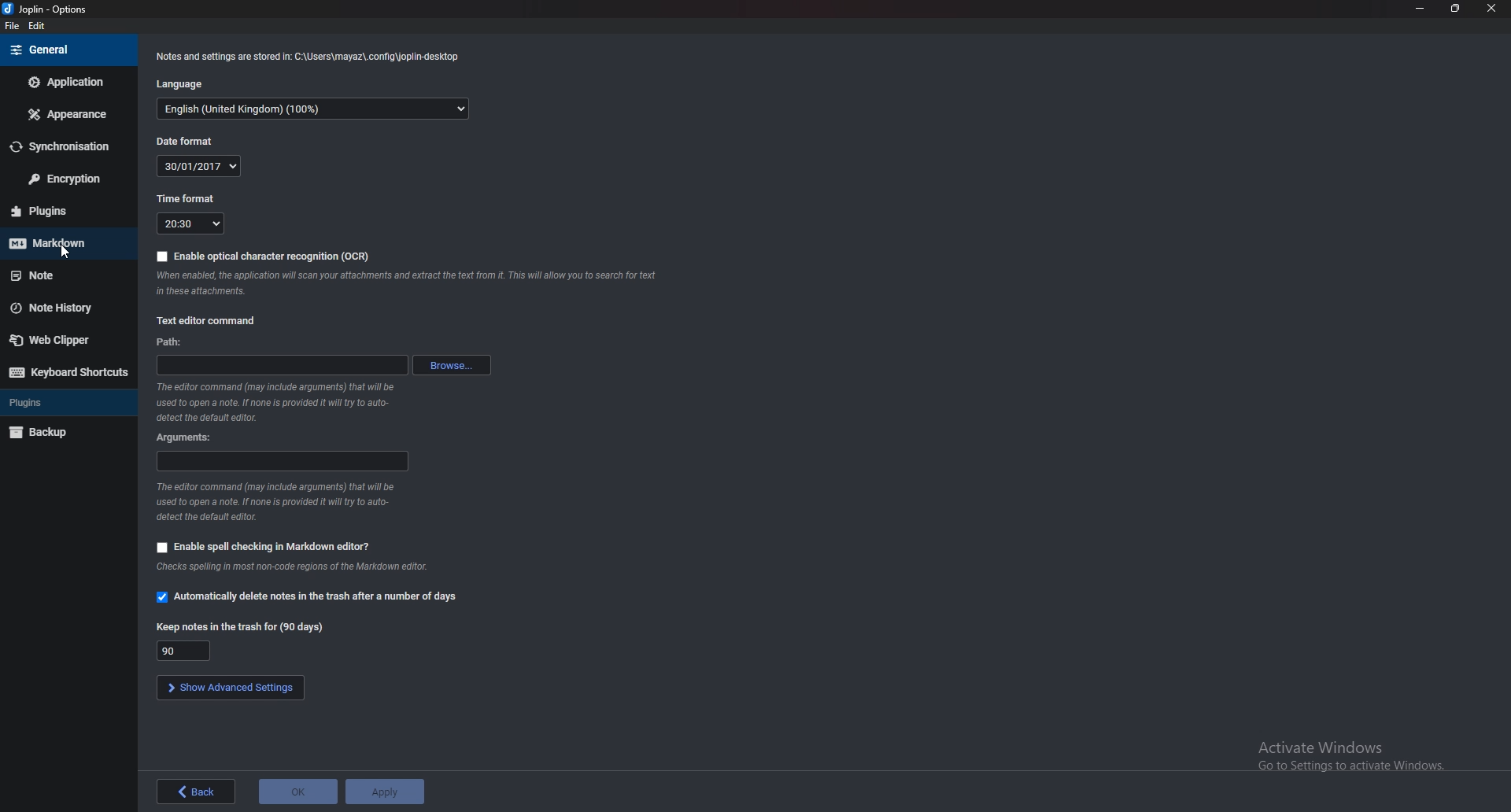 The image size is (1511, 812). What do you see at coordinates (312, 56) in the screenshot?
I see `Notes and settings are stored in: C:\Users\mayaz\.config\joplin-desktop` at bounding box center [312, 56].